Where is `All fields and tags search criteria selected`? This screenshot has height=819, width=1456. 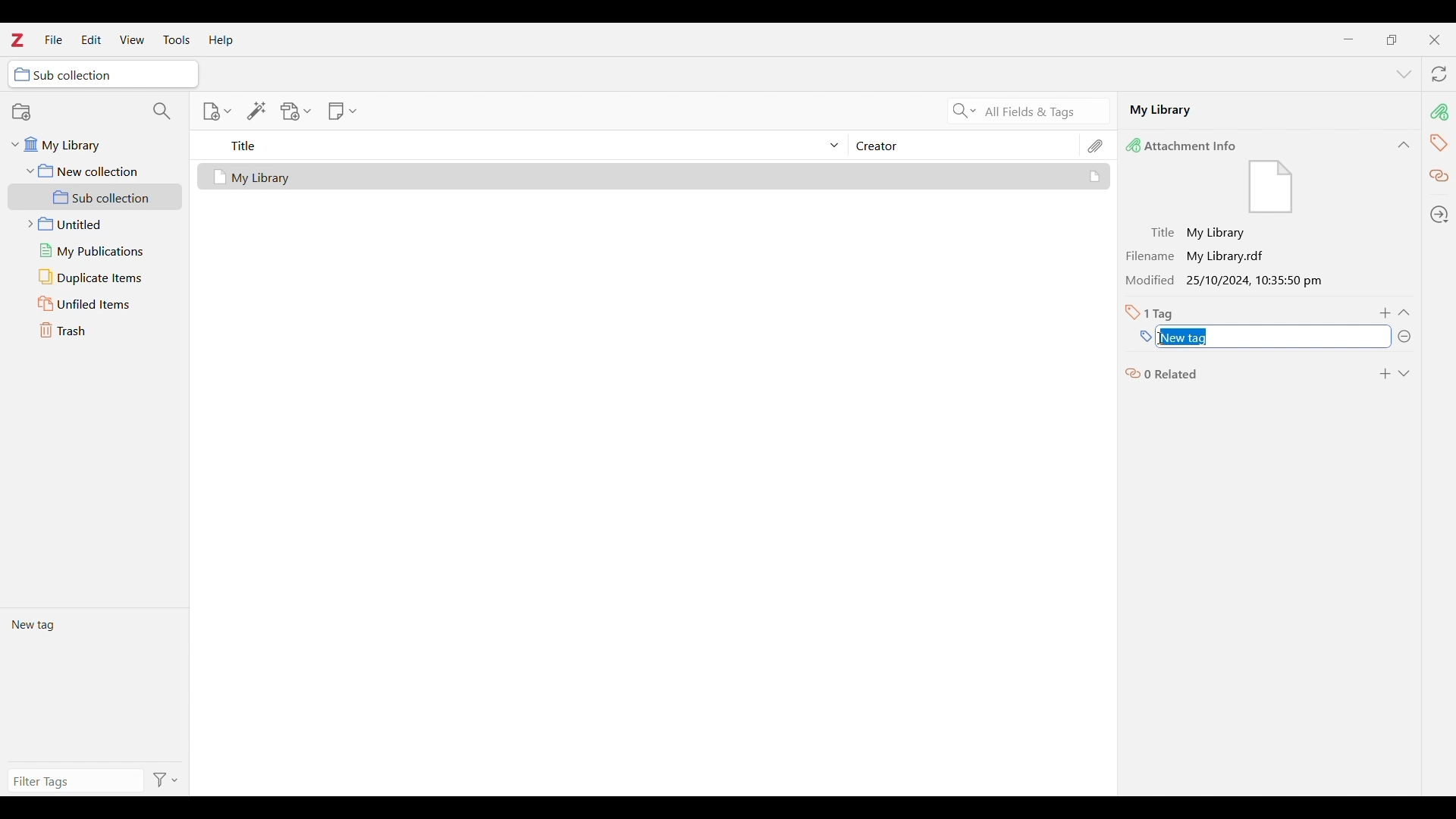
All fields and tags search criteria selected is located at coordinates (1043, 112).